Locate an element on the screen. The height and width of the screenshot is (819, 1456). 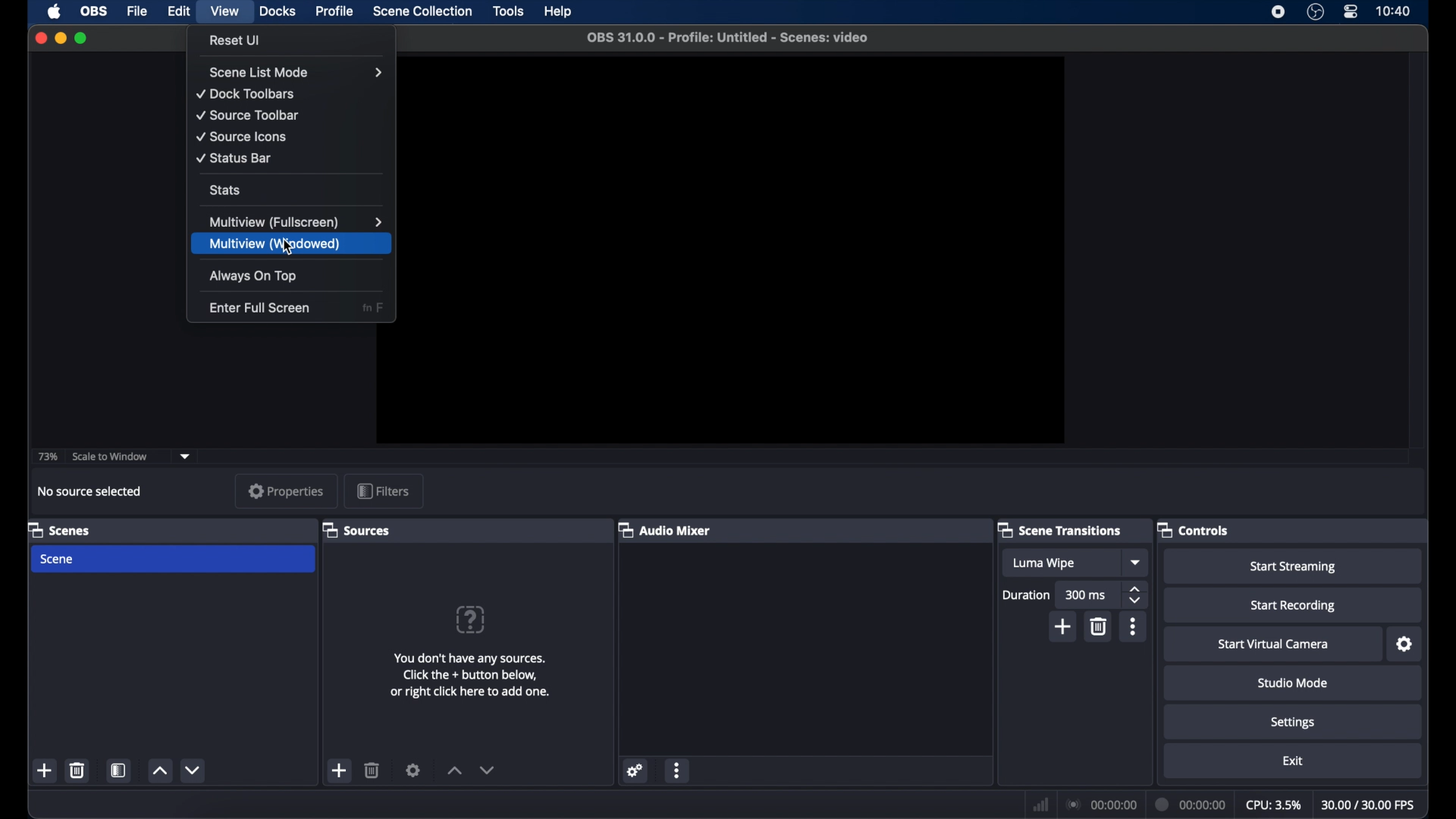
delete is located at coordinates (373, 770).